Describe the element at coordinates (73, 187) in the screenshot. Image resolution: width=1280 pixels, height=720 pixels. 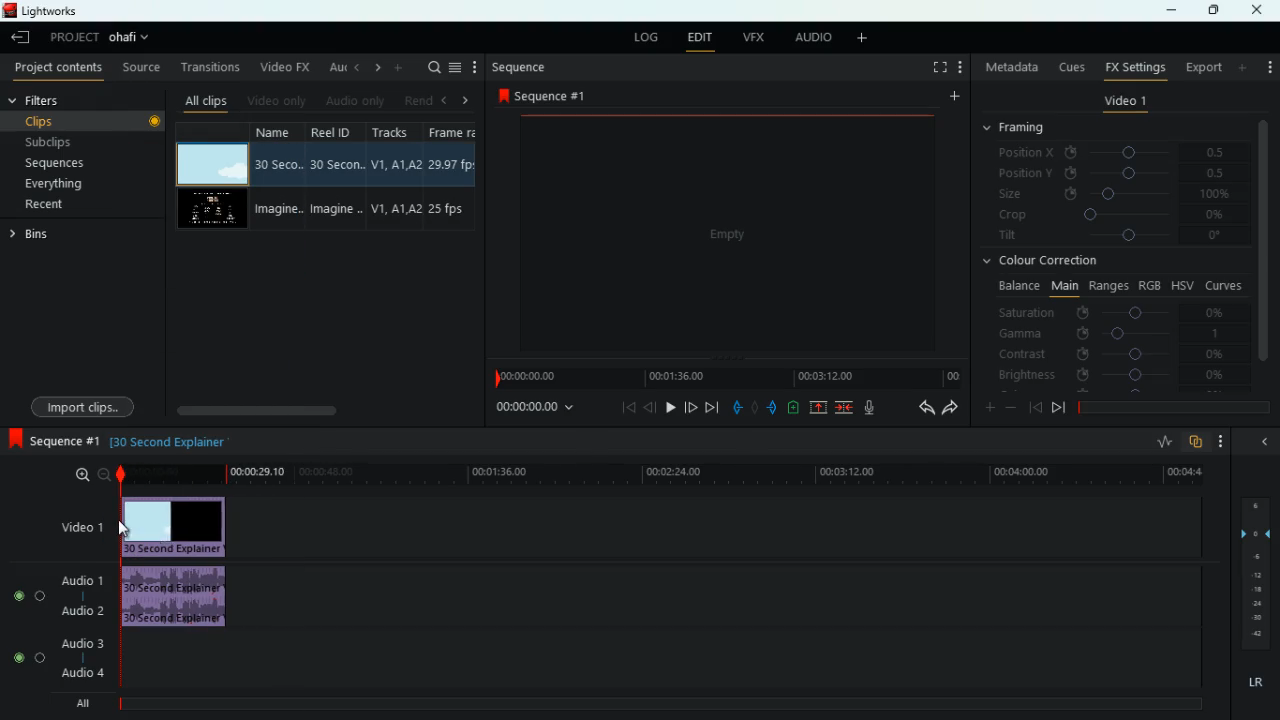
I see `everything` at that location.